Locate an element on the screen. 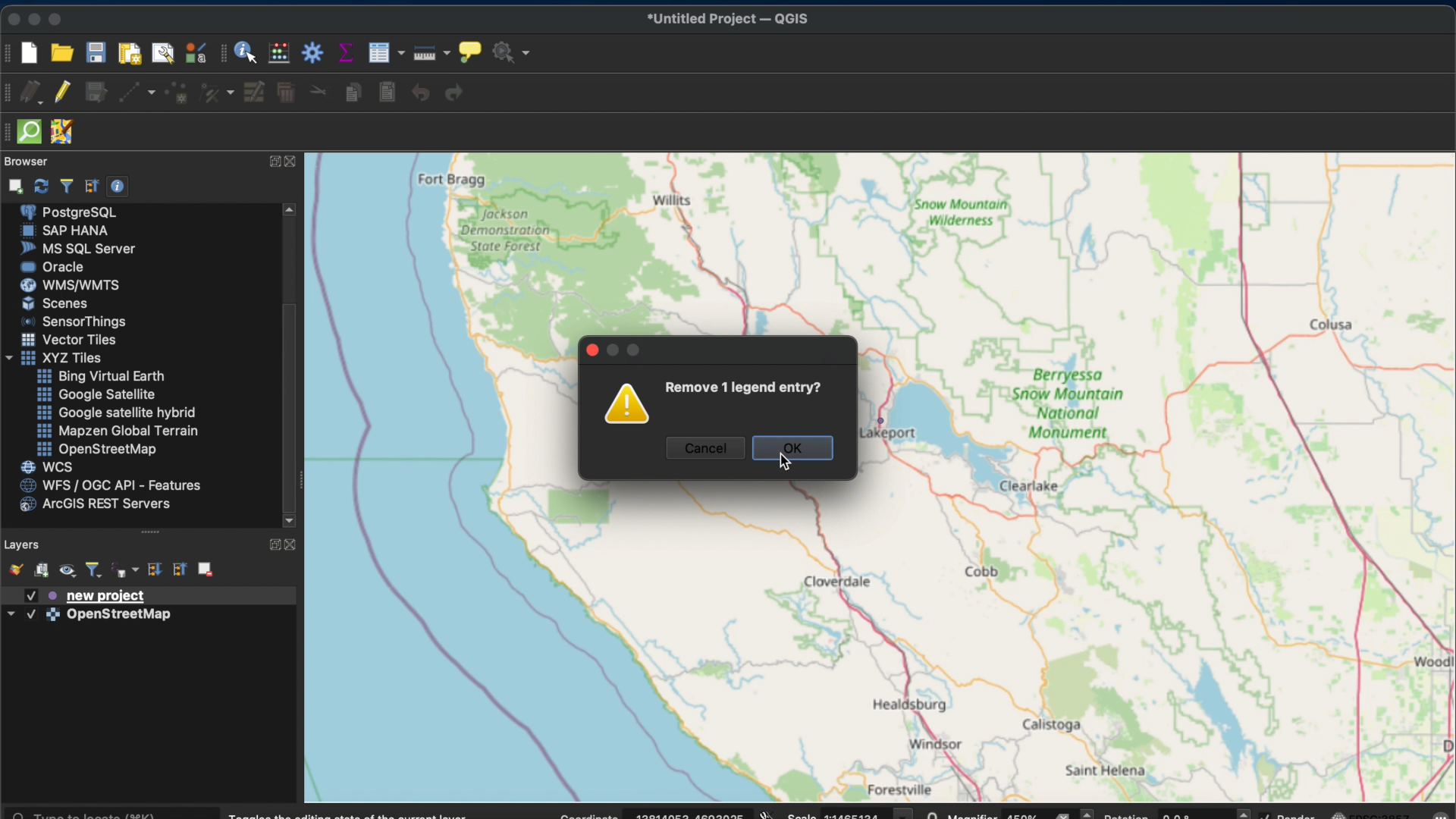 The height and width of the screenshot is (819, 1456). show statistical summary is located at coordinates (345, 52).